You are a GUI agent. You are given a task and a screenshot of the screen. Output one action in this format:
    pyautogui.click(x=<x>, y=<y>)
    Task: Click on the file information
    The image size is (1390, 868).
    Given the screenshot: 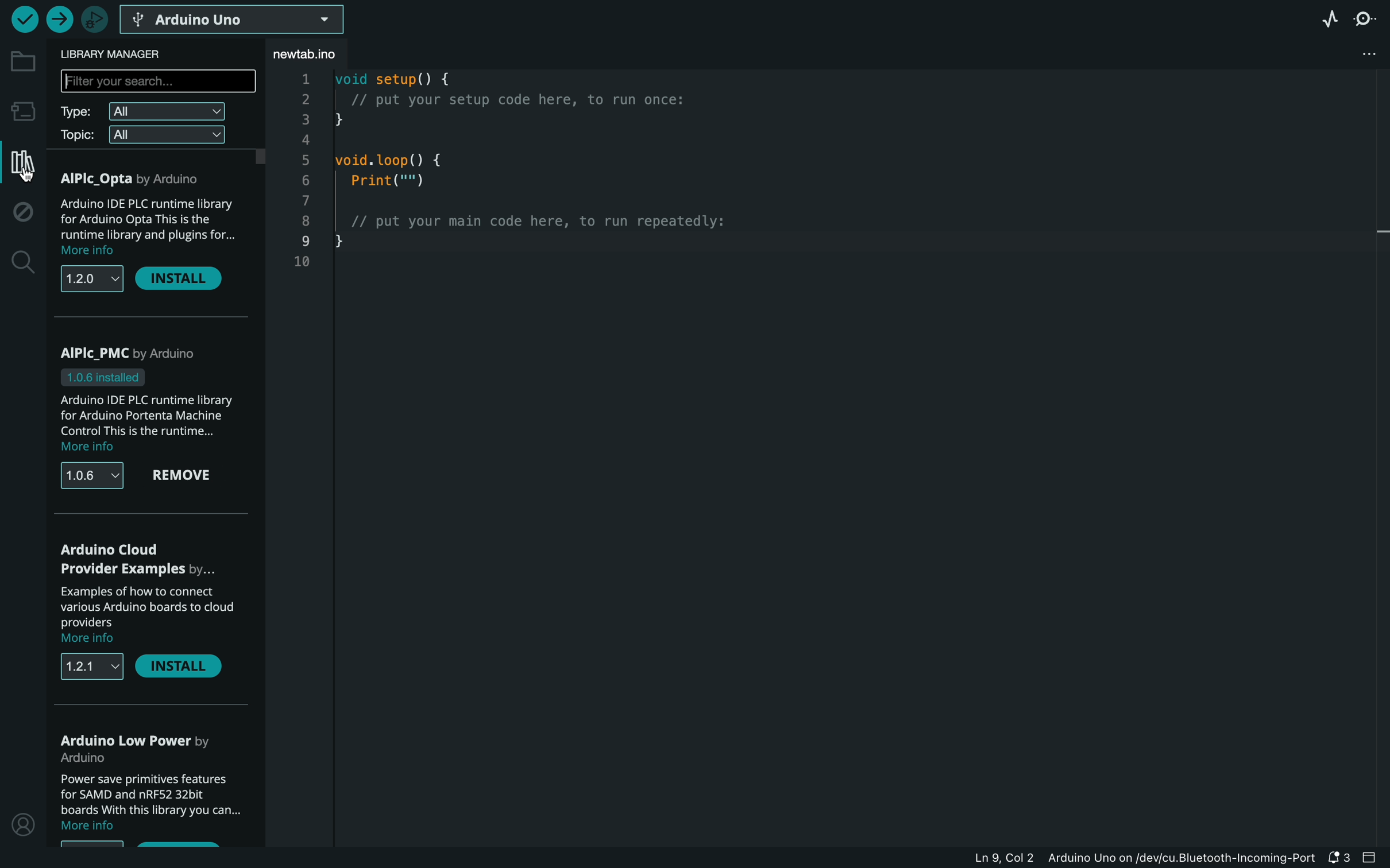 What is the action you would take?
    pyautogui.click(x=1125, y=857)
    